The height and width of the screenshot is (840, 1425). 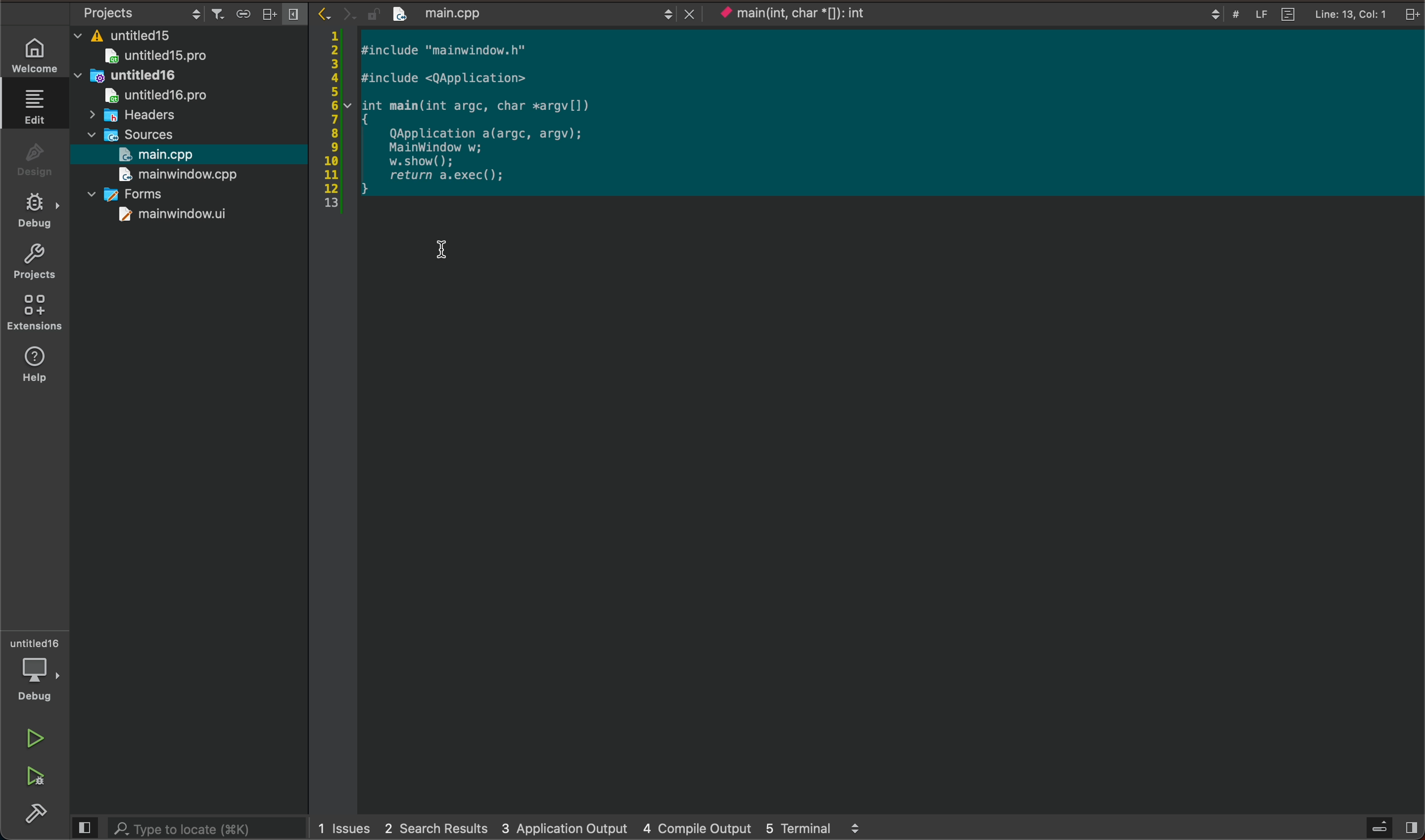 What do you see at coordinates (595, 826) in the screenshot?
I see `logs` at bounding box center [595, 826].